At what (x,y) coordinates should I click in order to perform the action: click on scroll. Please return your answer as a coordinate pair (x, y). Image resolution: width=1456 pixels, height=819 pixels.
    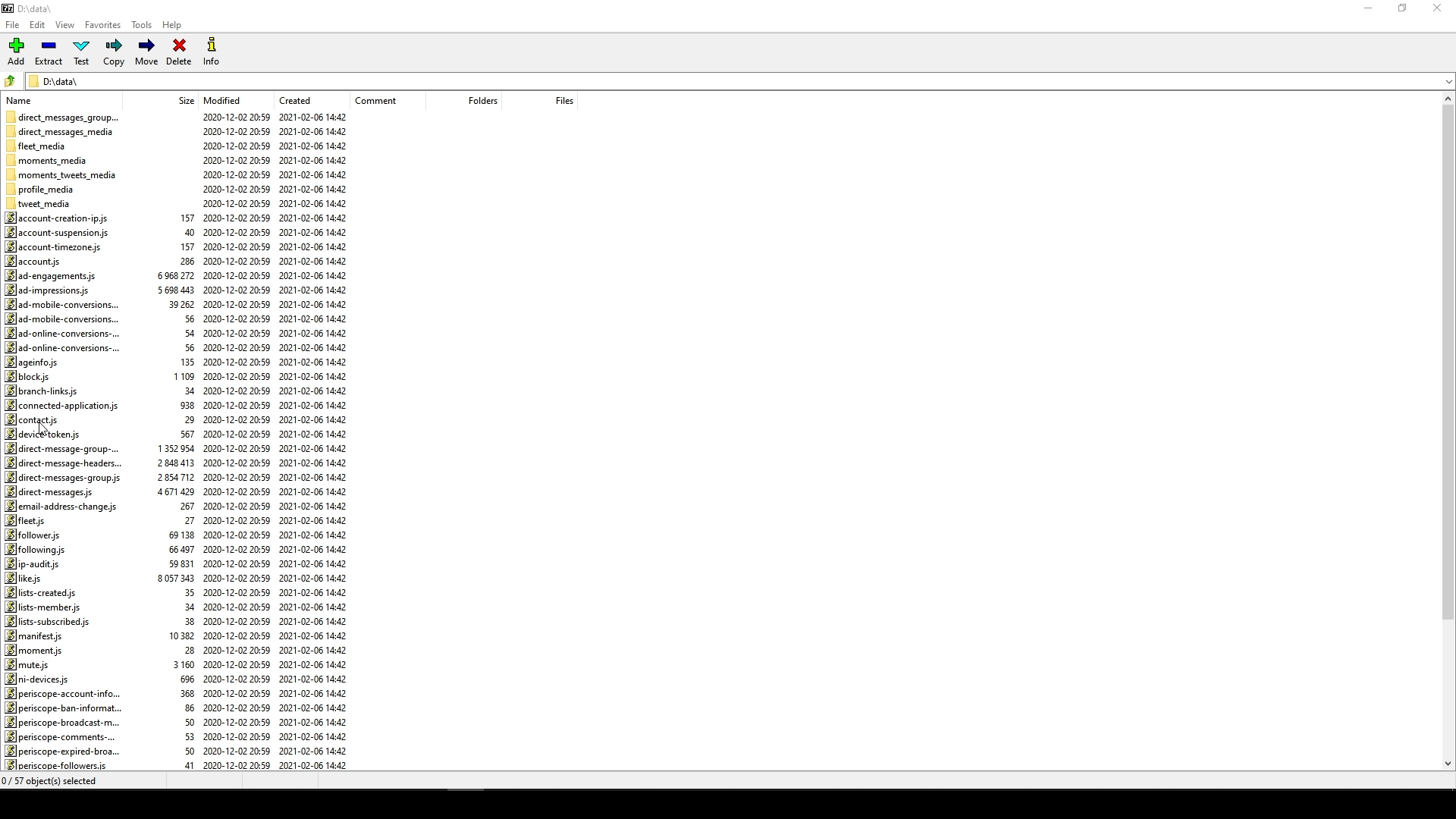
    Looking at the image, I should click on (1443, 434).